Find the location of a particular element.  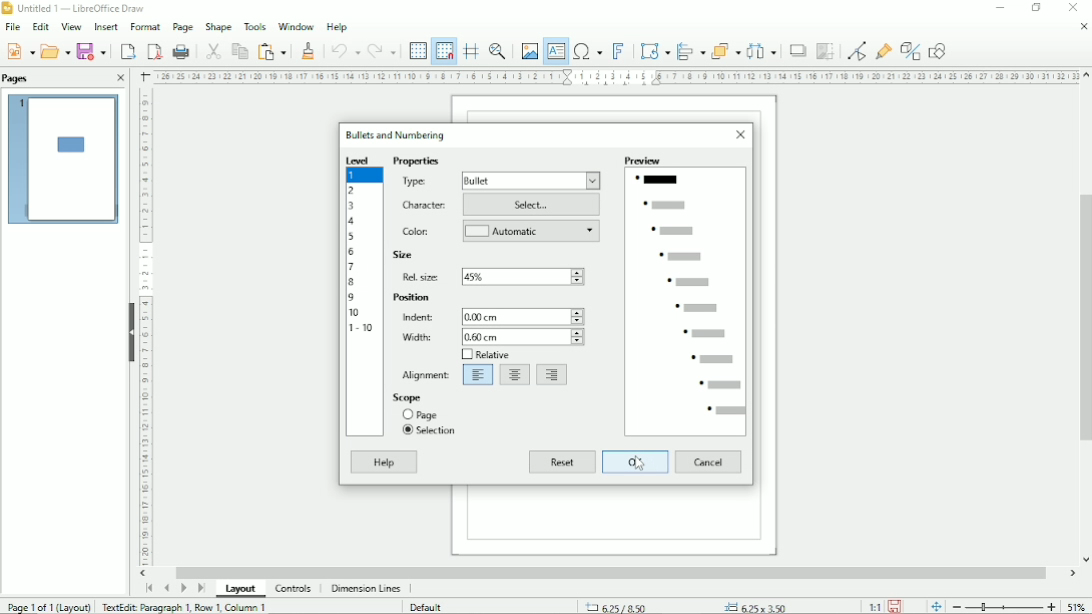

TextEdit:  Paragraph 1, Row 1, Column 1 is located at coordinates (185, 607).